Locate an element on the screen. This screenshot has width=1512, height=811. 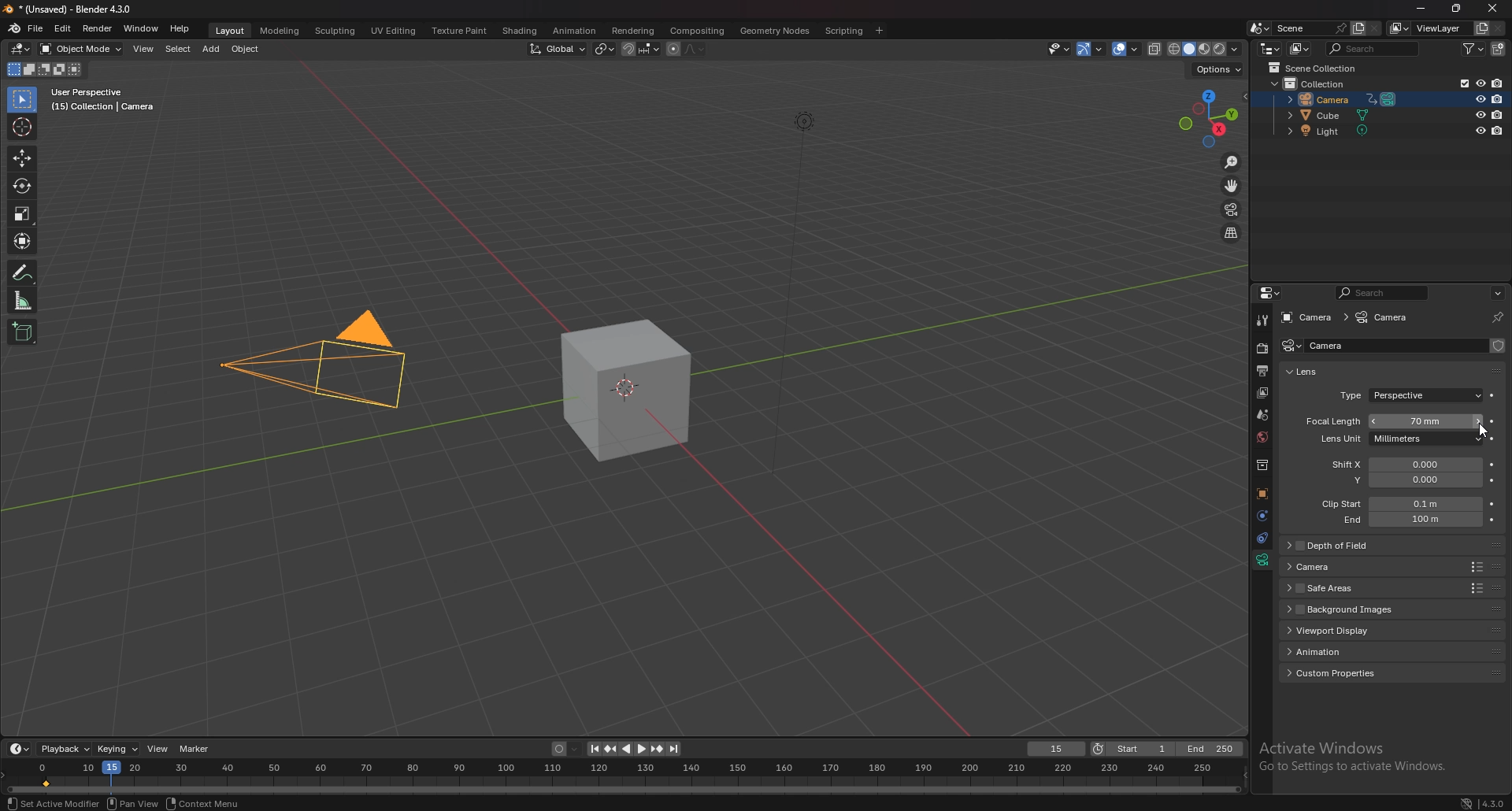
jump to endpoint is located at coordinates (675, 749).